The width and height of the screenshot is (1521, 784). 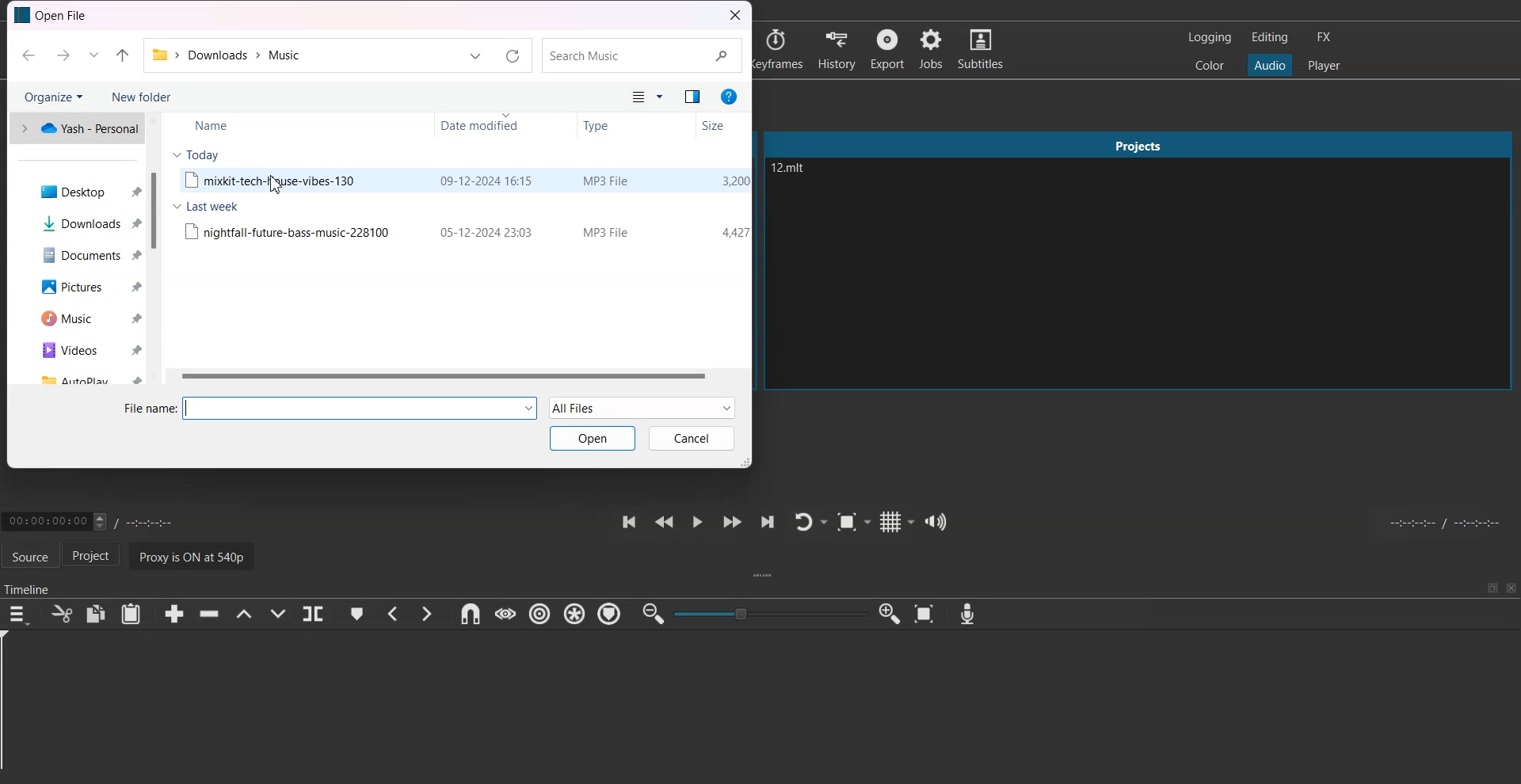 What do you see at coordinates (356, 614) in the screenshot?
I see `Create marker` at bounding box center [356, 614].